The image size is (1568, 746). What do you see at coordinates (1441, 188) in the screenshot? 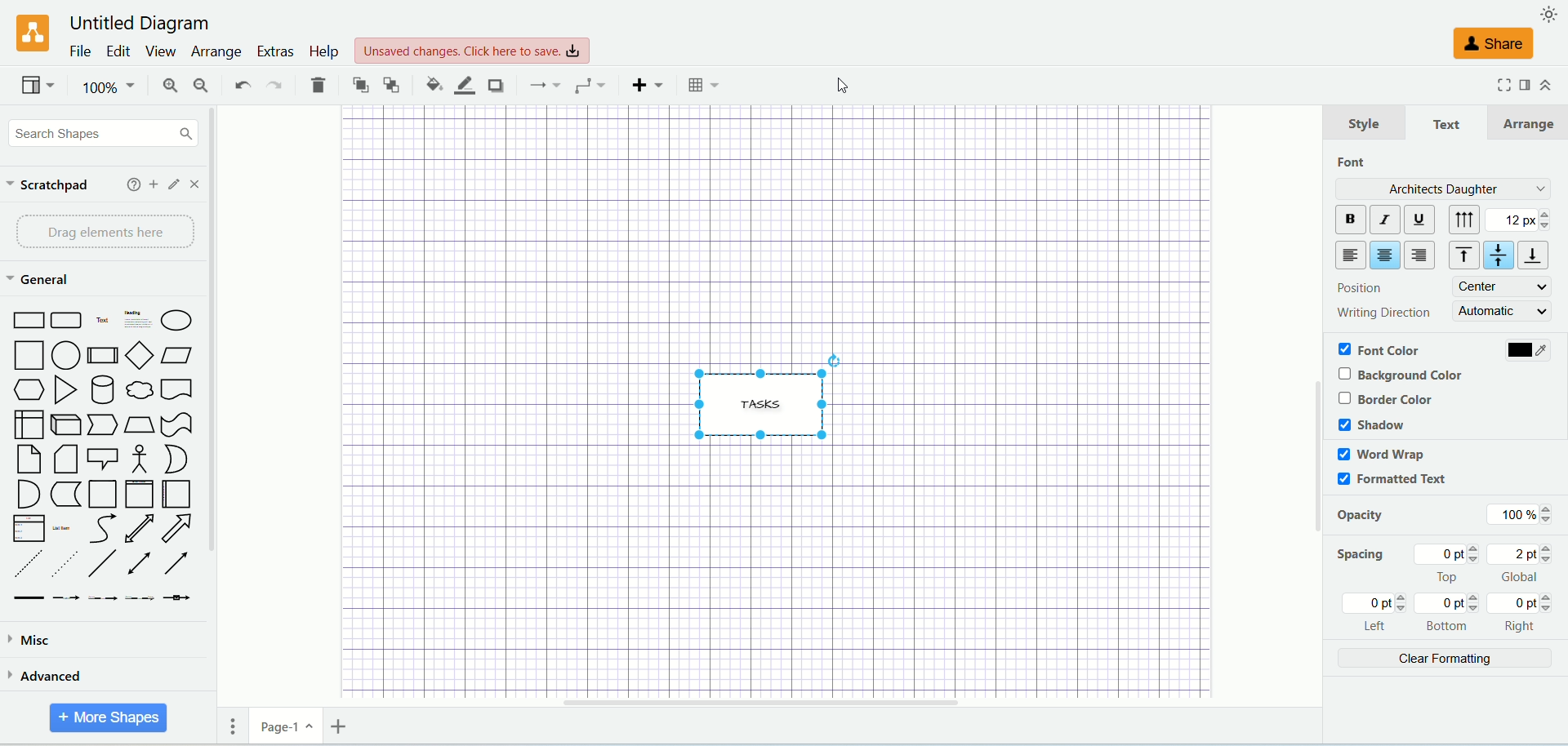
I see `architects daughter` at bounding box center [1441, 188].